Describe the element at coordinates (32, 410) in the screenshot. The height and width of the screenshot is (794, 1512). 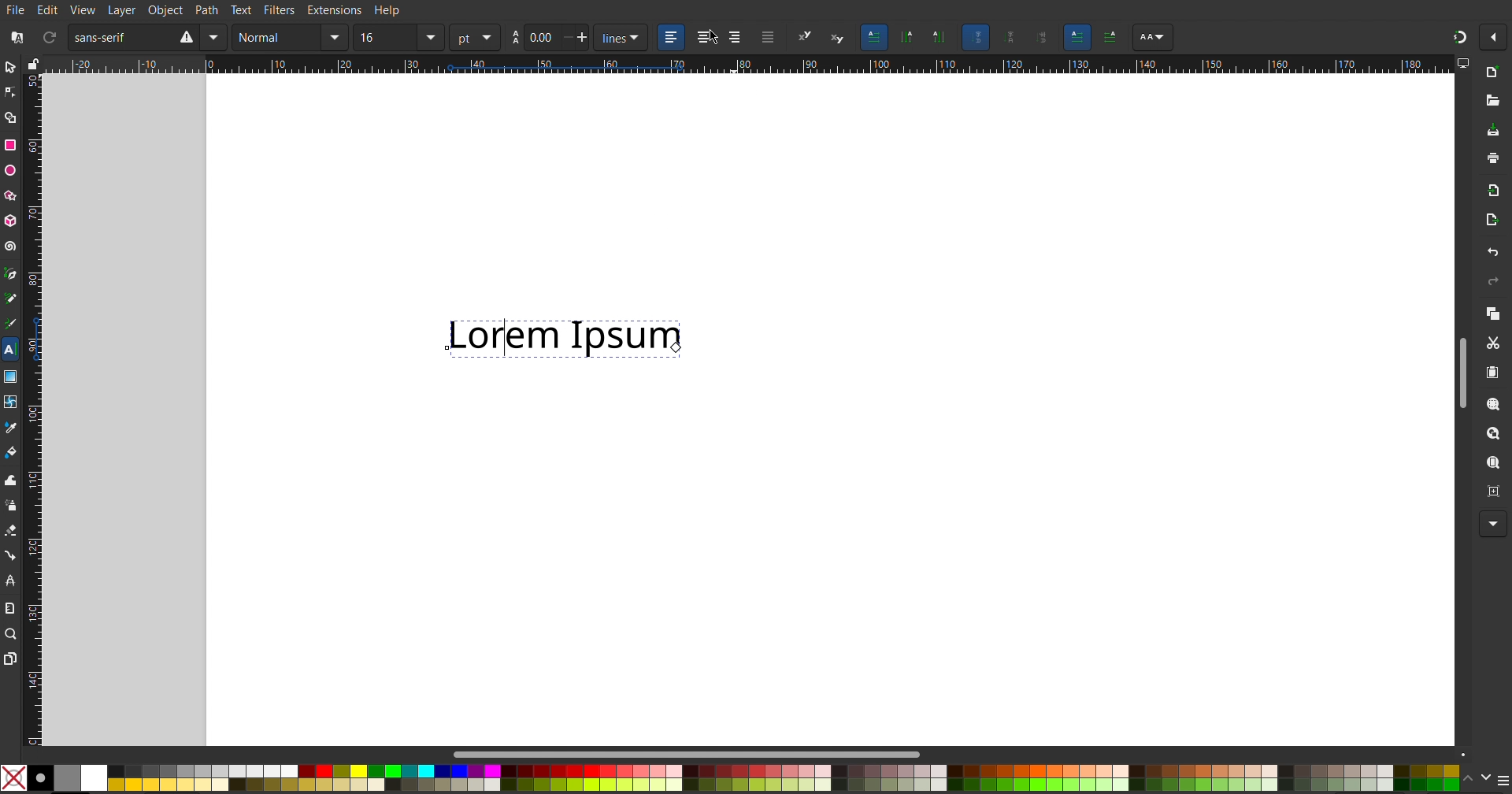
I see `Vertical Ruler` at that location.